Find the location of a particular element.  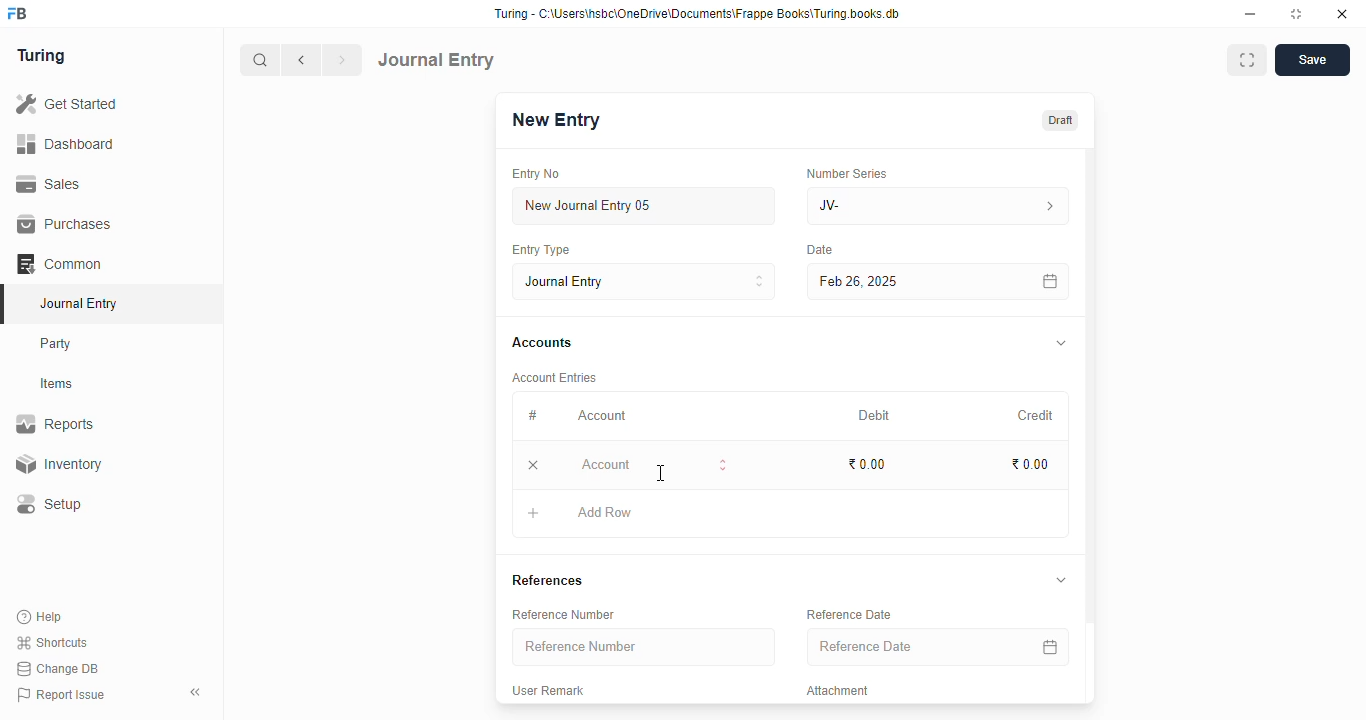

search is located at coordinates (261, 60).